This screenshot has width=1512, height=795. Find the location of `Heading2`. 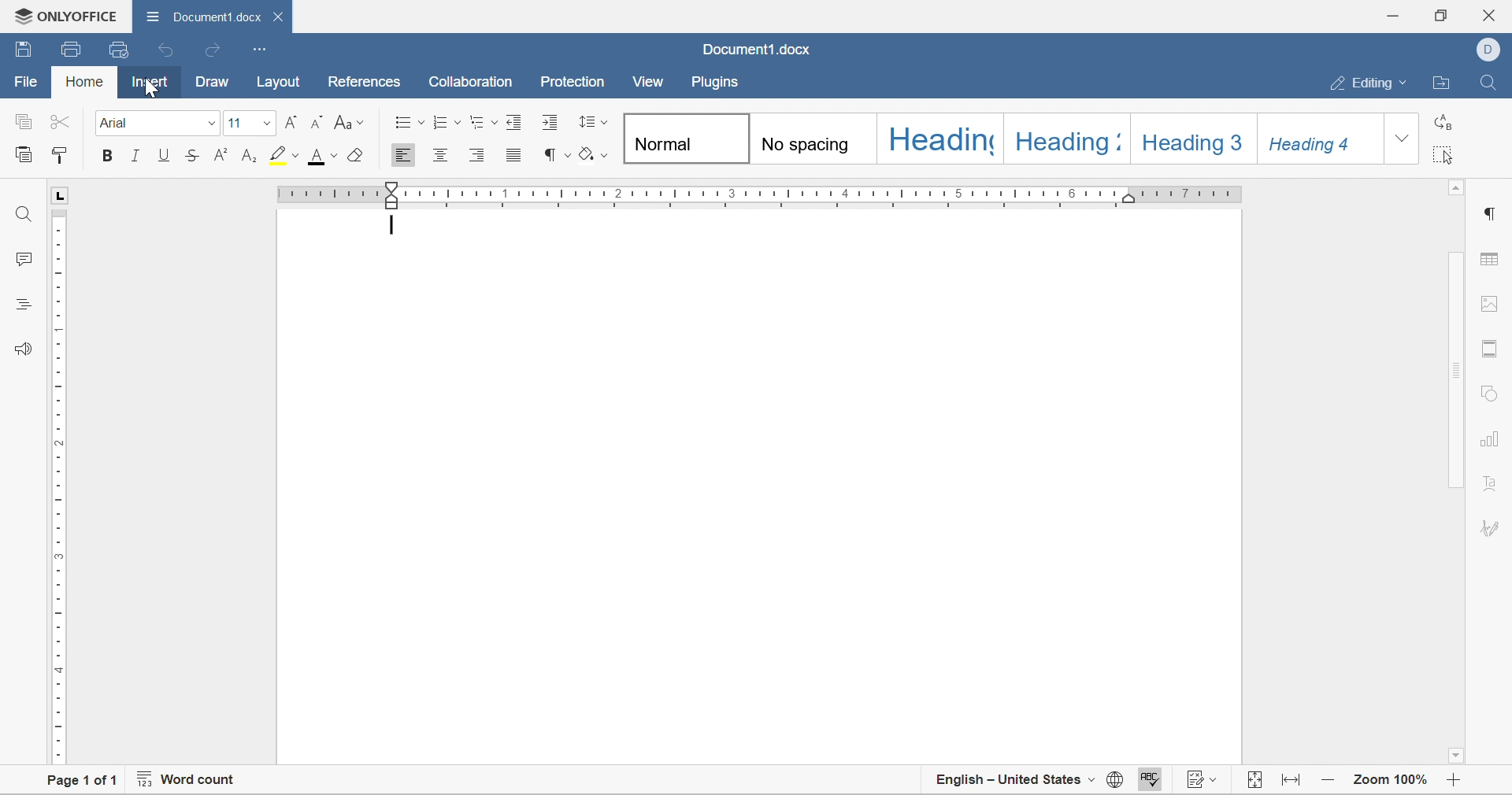

Heading2 is located at coordinates (1062, 141).